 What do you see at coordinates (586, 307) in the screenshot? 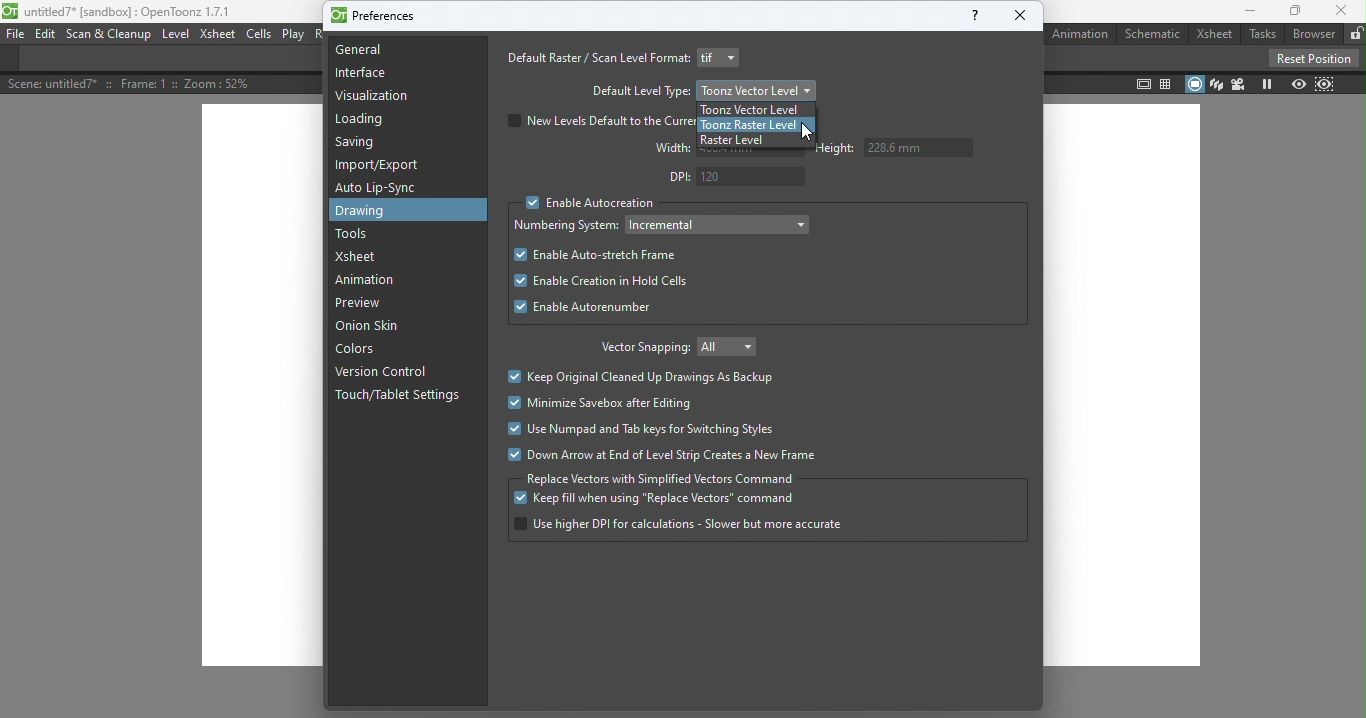
I see `Enable` at bounding box center [586, 307].